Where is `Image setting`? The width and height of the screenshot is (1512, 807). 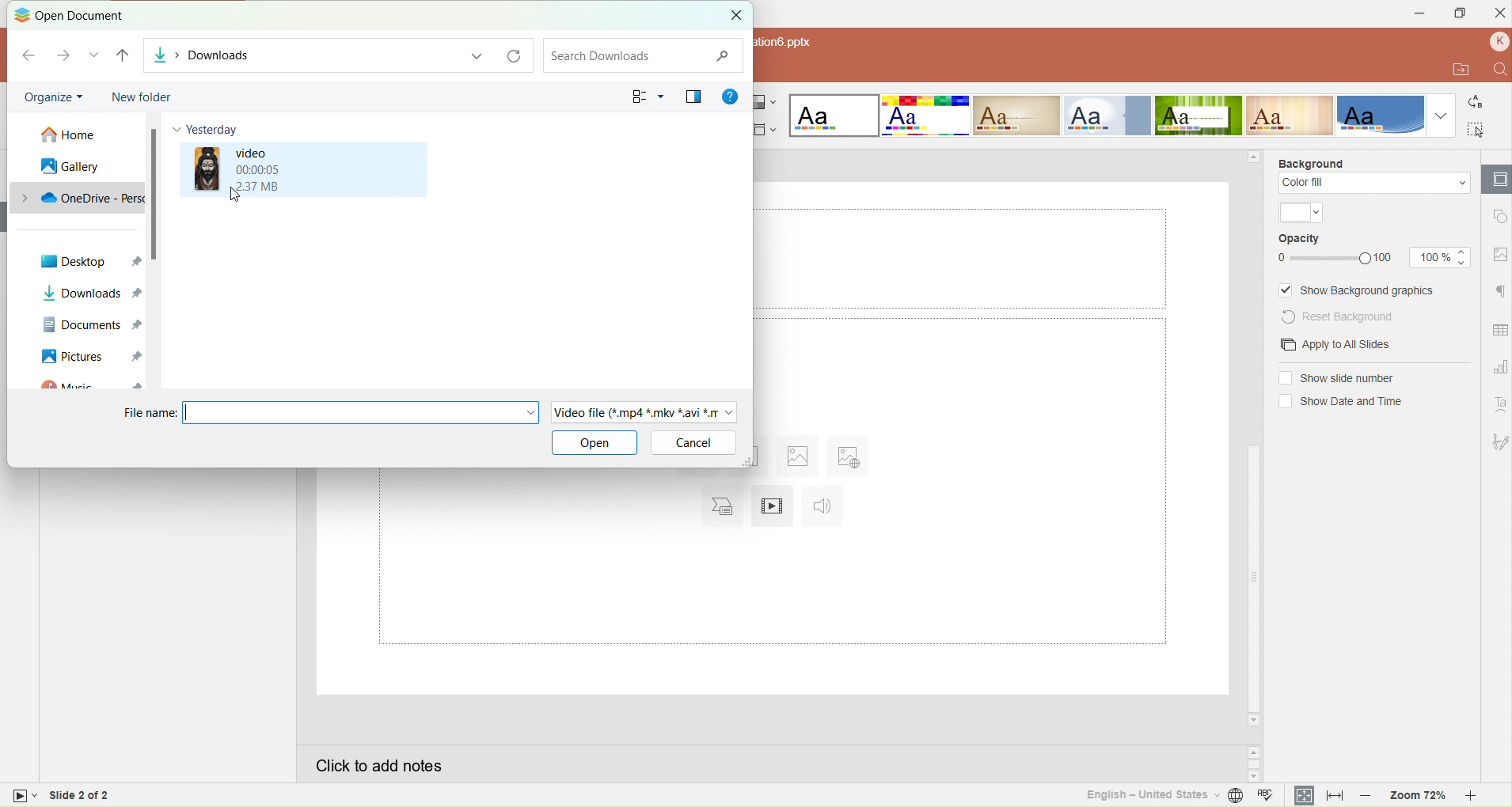 Image setting is located at coordinates (1498, 254).